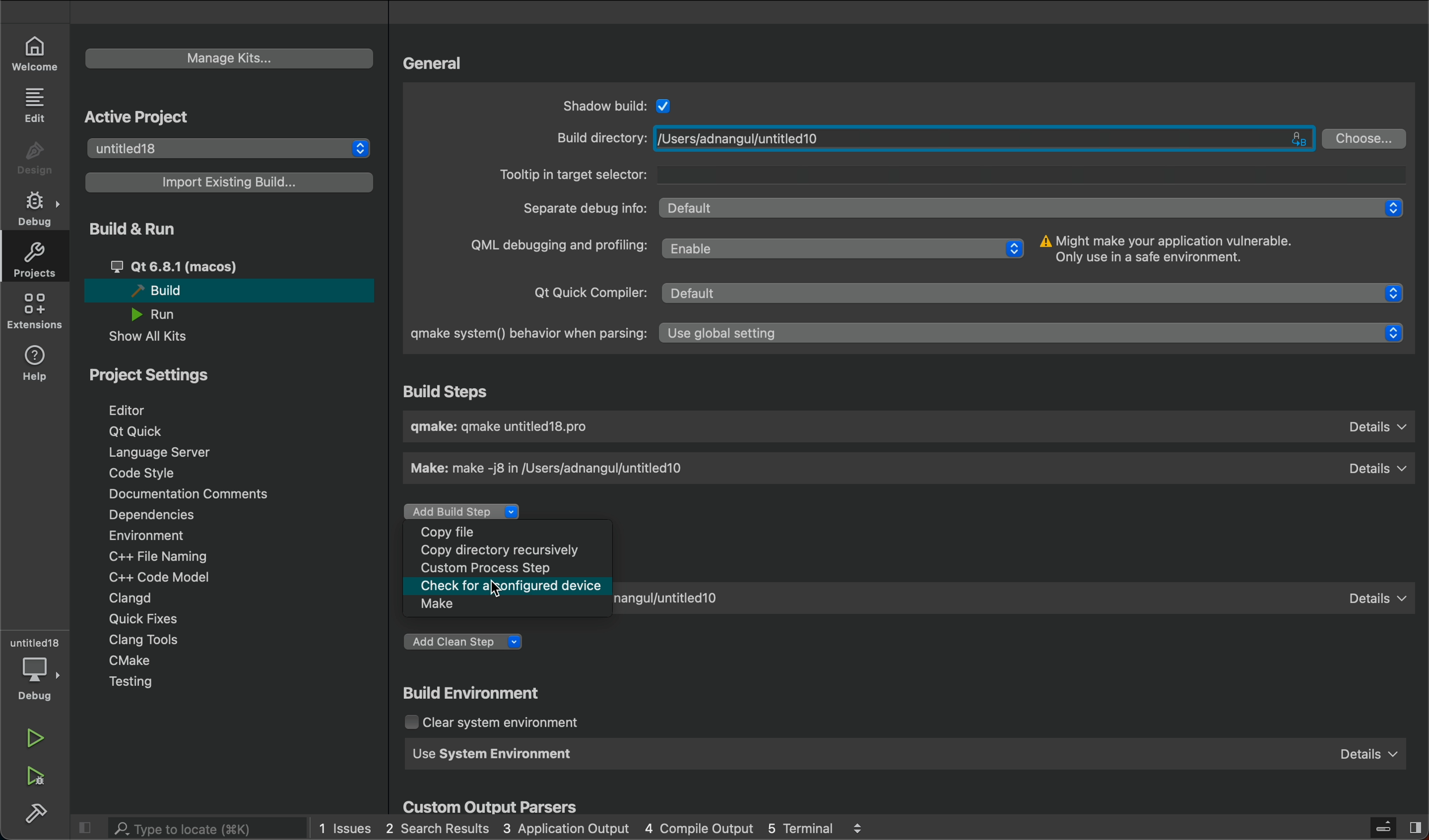 The height and width of the screenshot is (840, 1429). What do you see at coordinates (35, 53) in the screenshot?
I see `welcome` at bounding box center [35, 53].